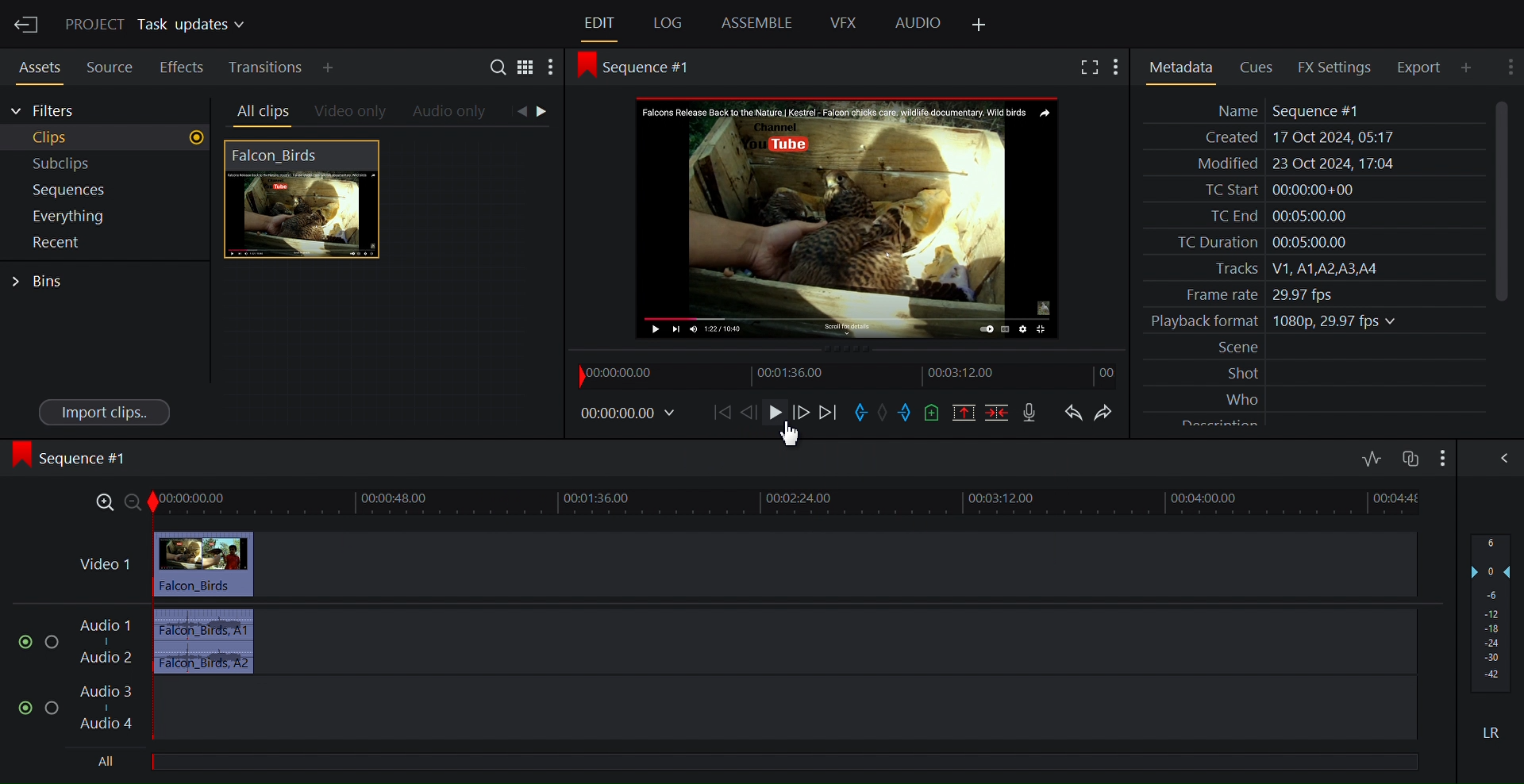 This screenshot has width=1524, height=784. I want to click on Bins, so click(39, 282).